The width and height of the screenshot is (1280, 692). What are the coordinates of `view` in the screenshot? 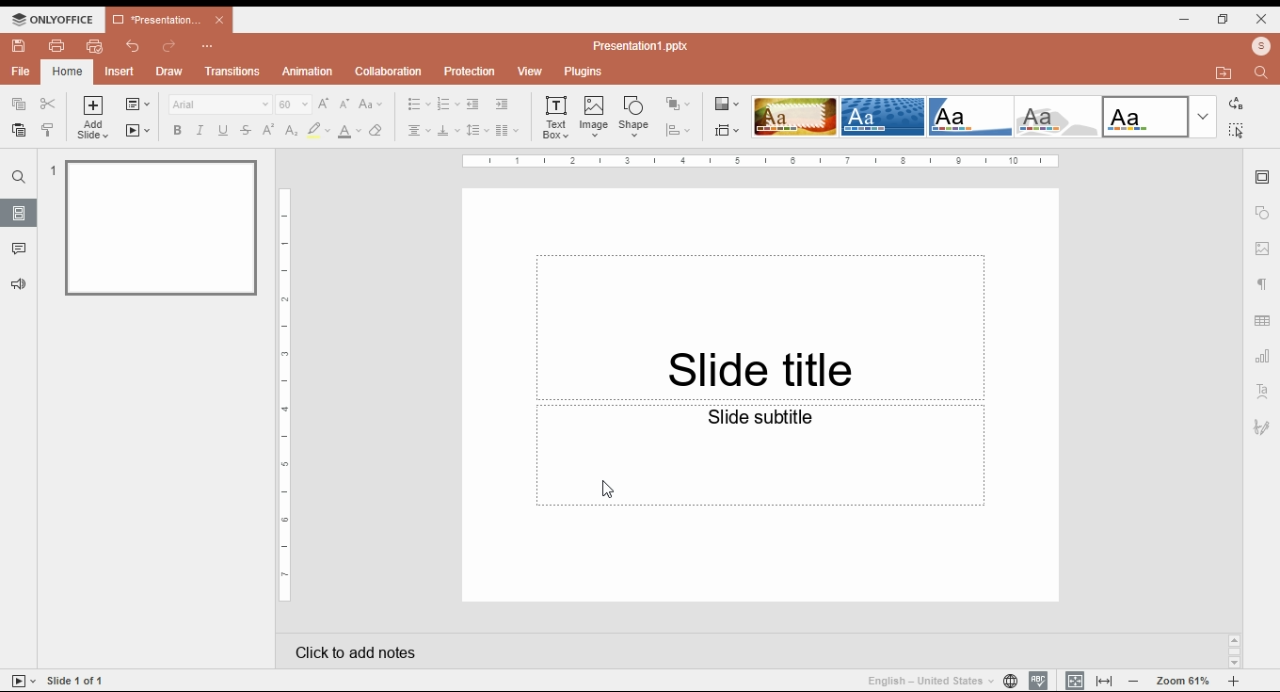 It's located at (529, 72).